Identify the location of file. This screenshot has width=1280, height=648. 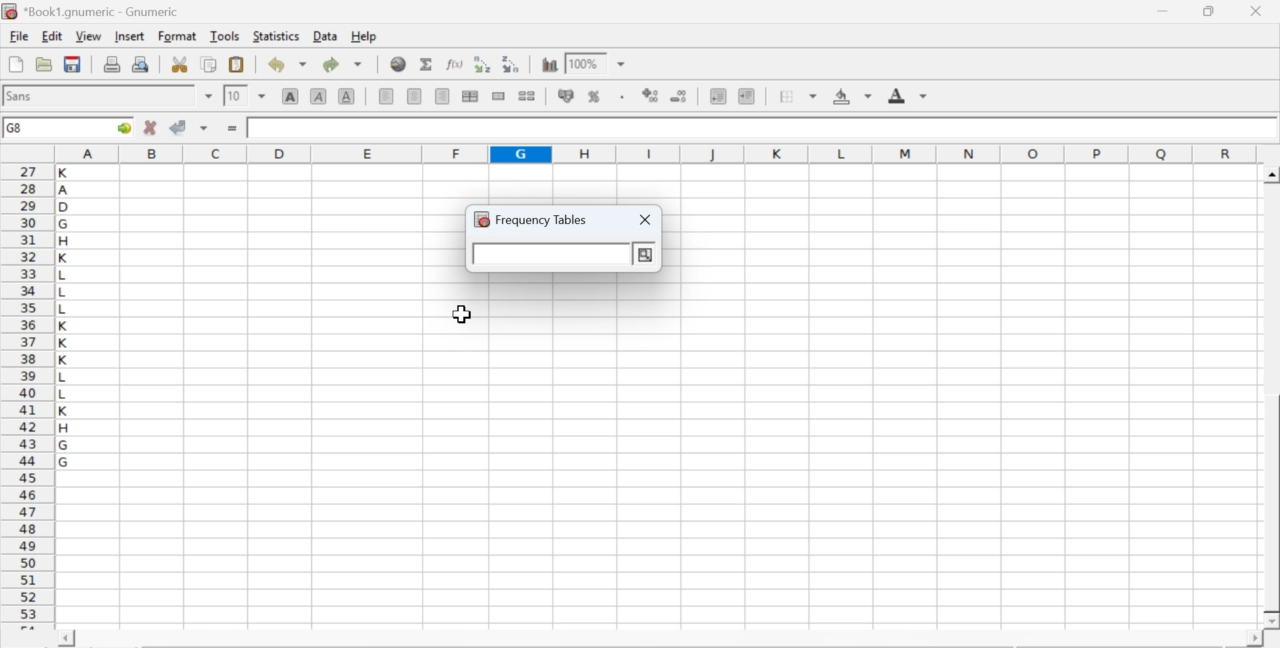
(18, 37).